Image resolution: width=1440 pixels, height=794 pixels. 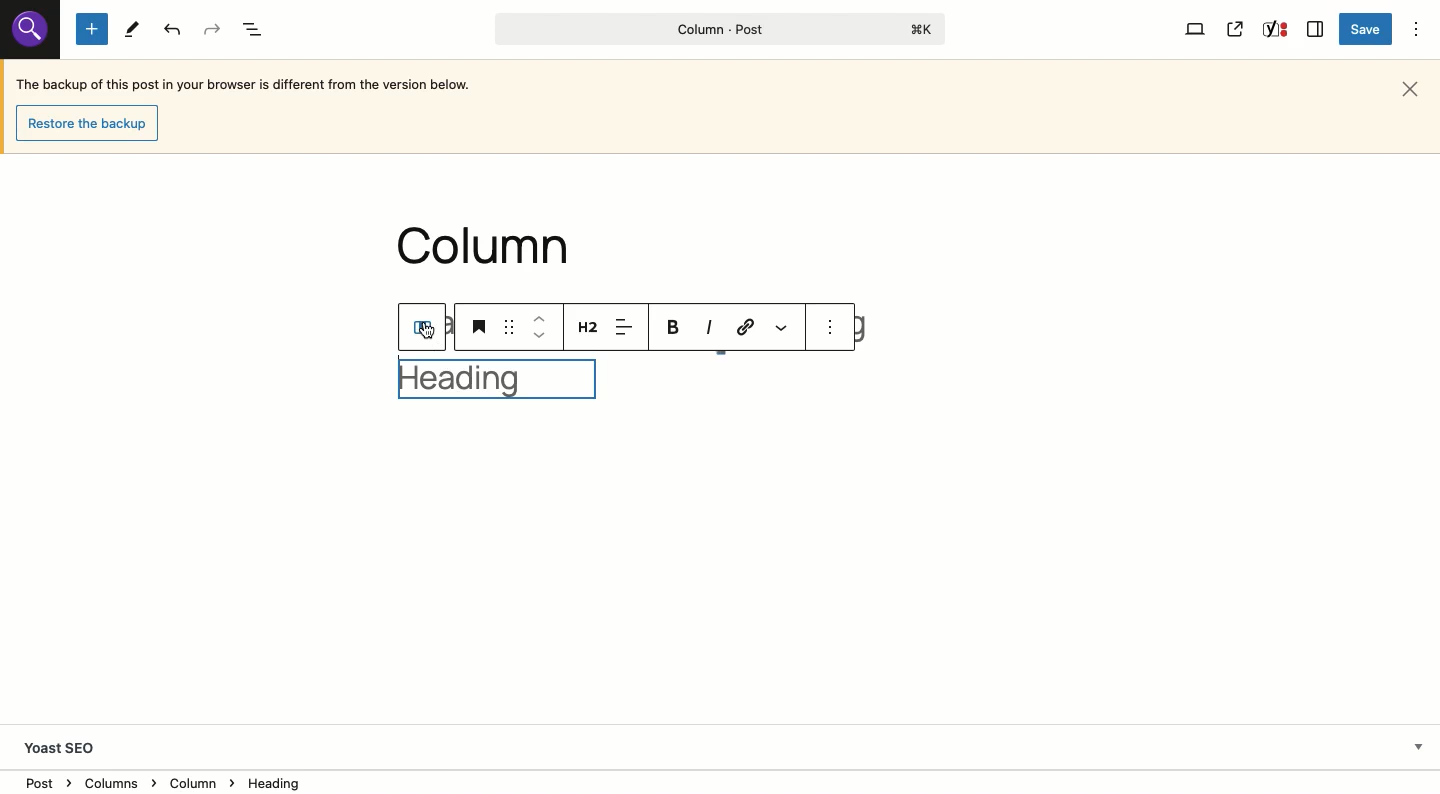 What do you see at coordinates (174, 30) in the screenshot?
I see `Undo` at bounding box center [174, 30].